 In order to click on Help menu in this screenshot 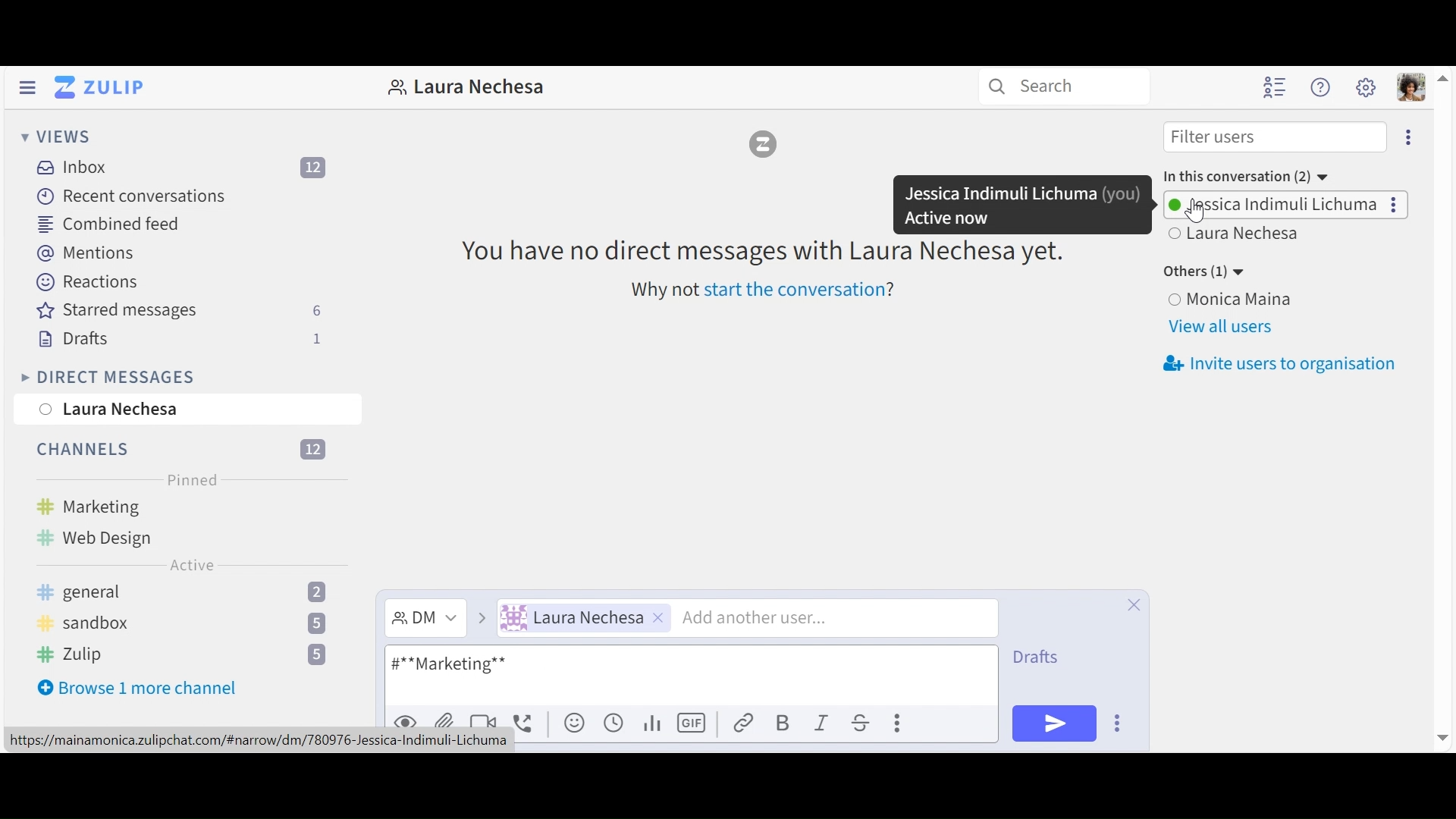, I will do `click(1323, 88)`.